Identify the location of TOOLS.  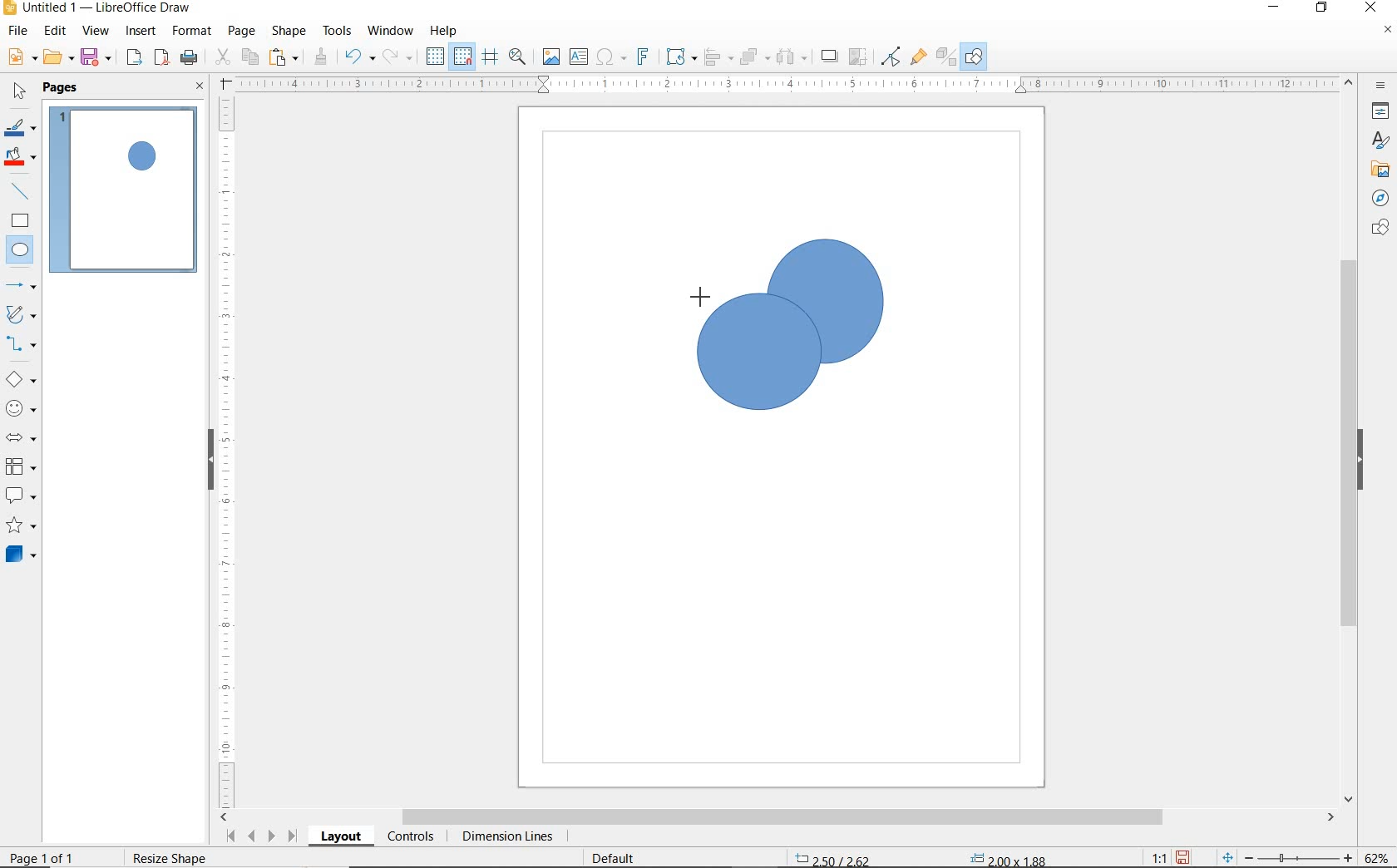
(337, 30).